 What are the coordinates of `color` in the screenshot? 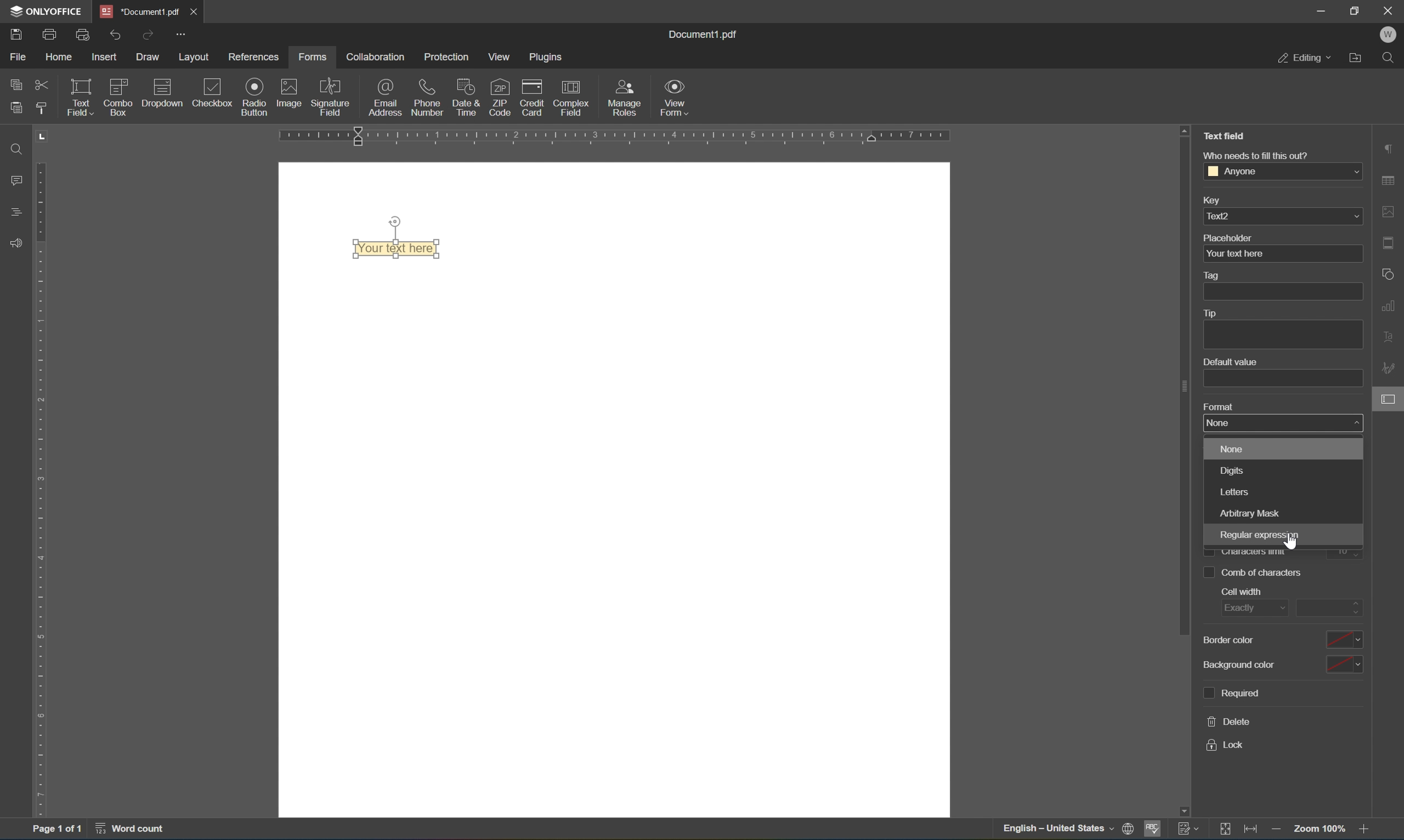 It's located at (1345, 665).